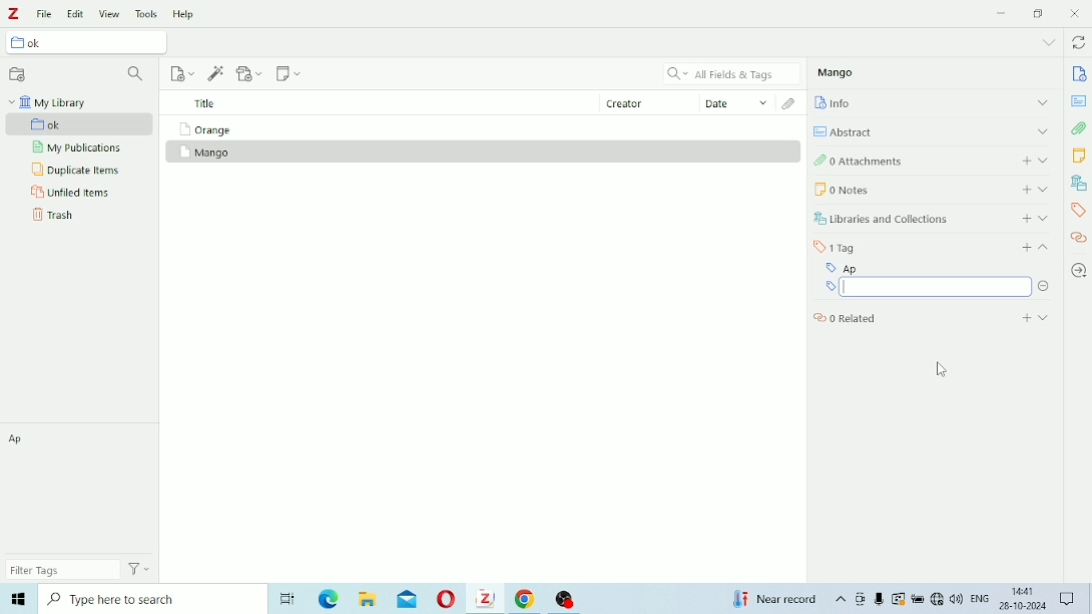 The width and height of the screenshot is (1092, 614). What do you see at coordinates (1076, 13) in the screenshot?
I see `Close` at bounding box center [1076, 13].